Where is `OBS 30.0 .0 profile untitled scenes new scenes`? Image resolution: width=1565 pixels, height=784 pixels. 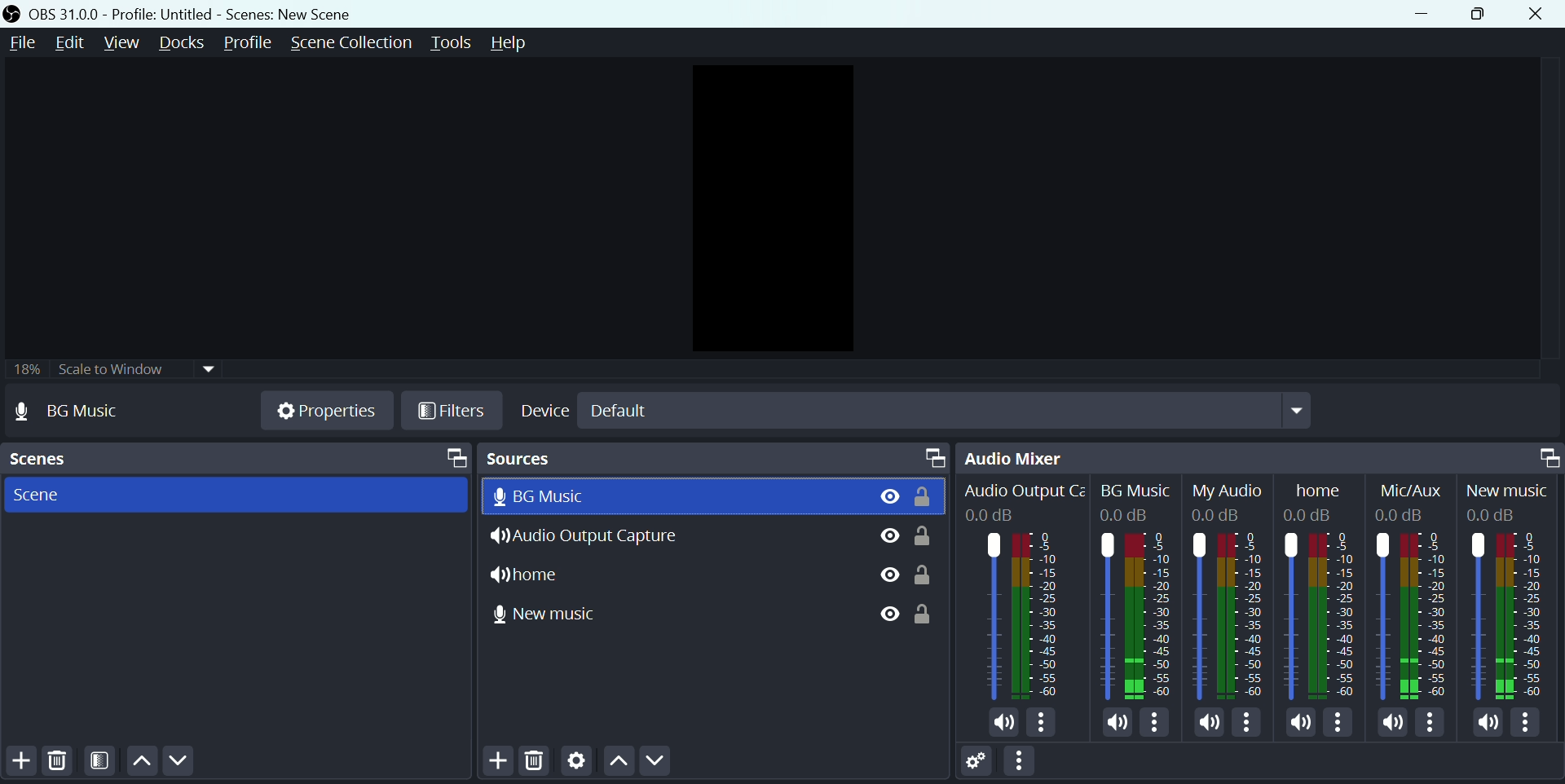
OBS 30.0 .0 profile untitled scenes new scenes is located at coordinates (209, 12).